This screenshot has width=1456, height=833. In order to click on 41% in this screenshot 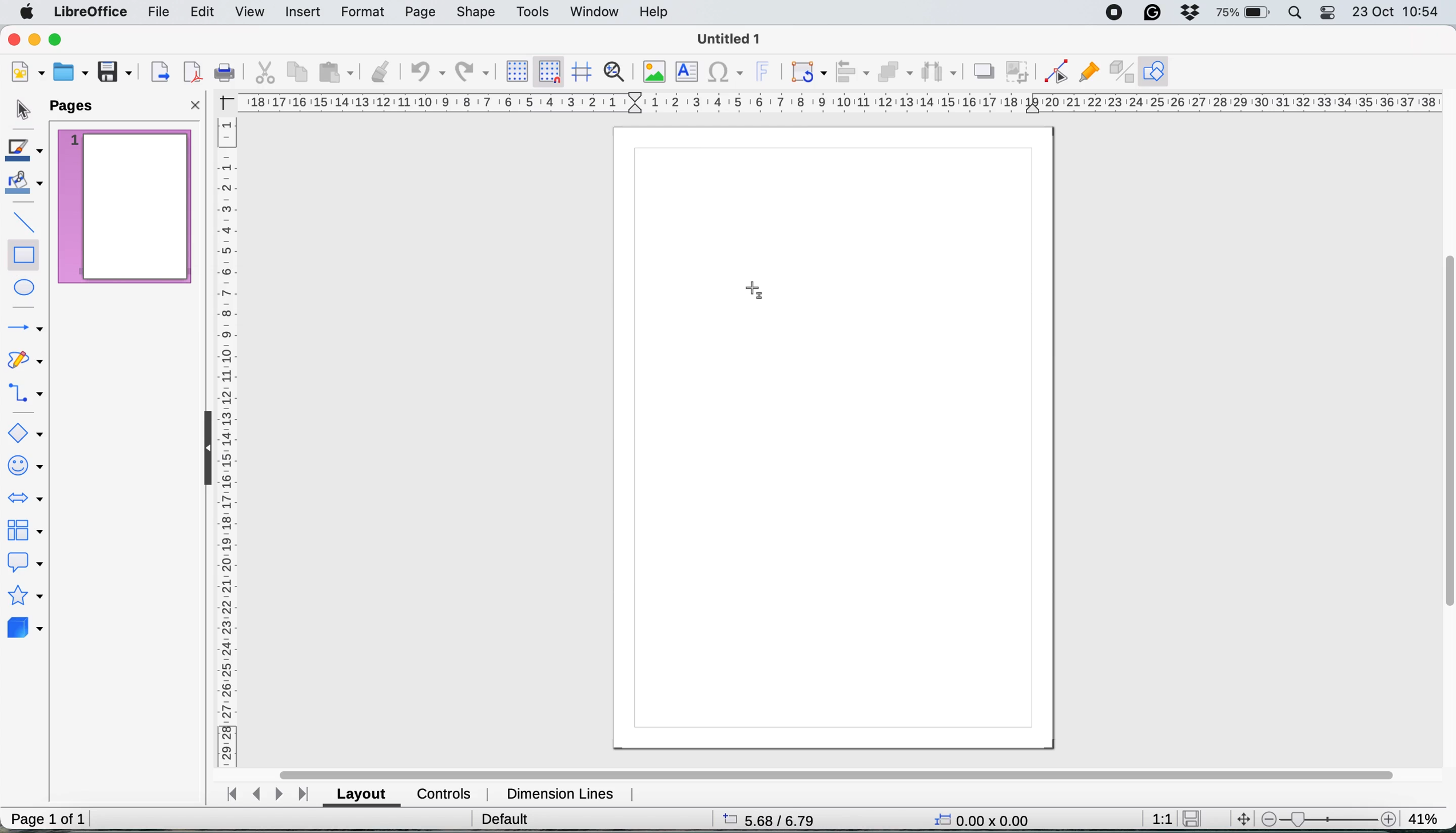, I will do `click(1423, 816)`.